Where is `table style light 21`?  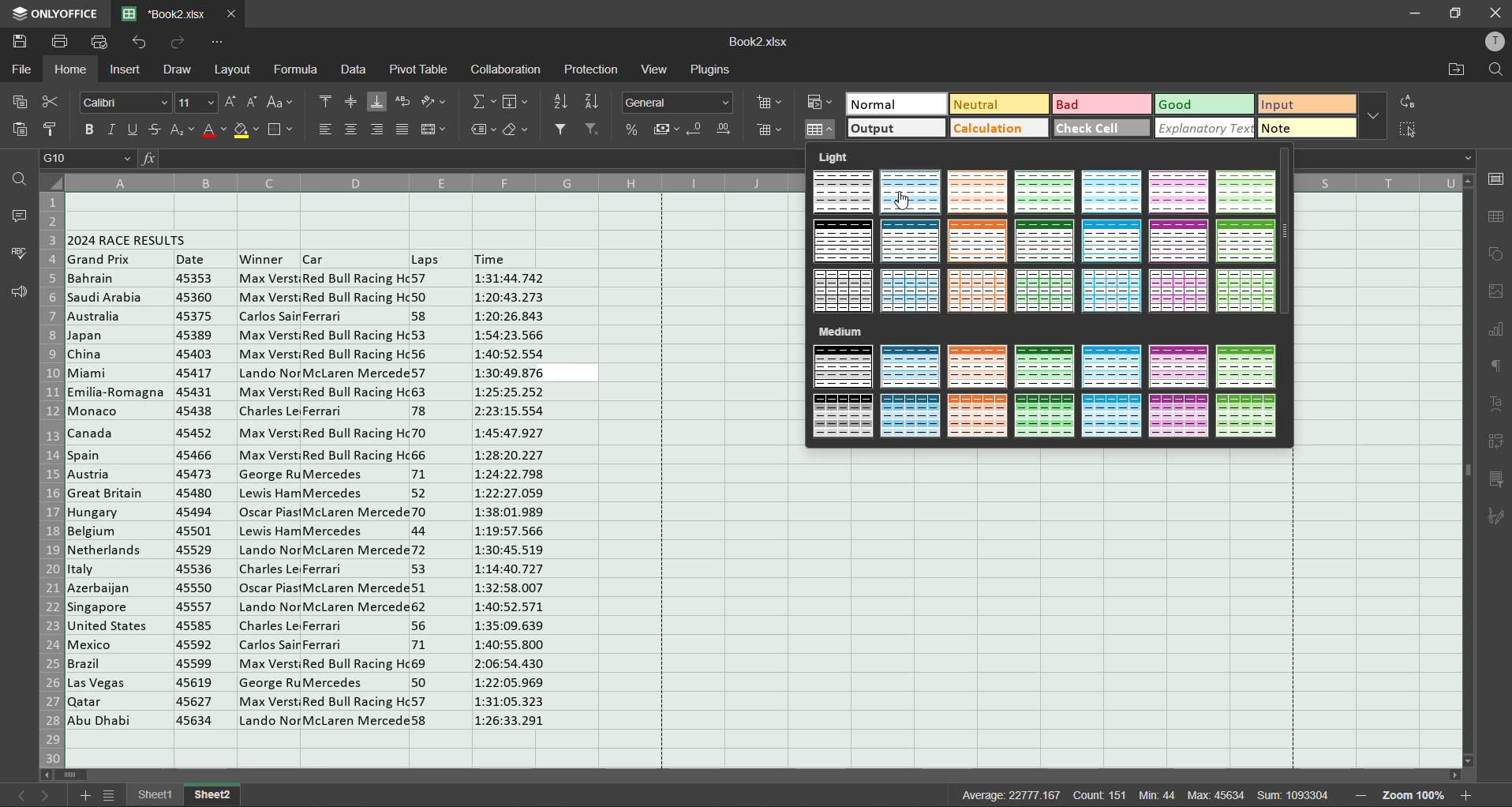
table style light 21 is located at coordinates (1244, 291).